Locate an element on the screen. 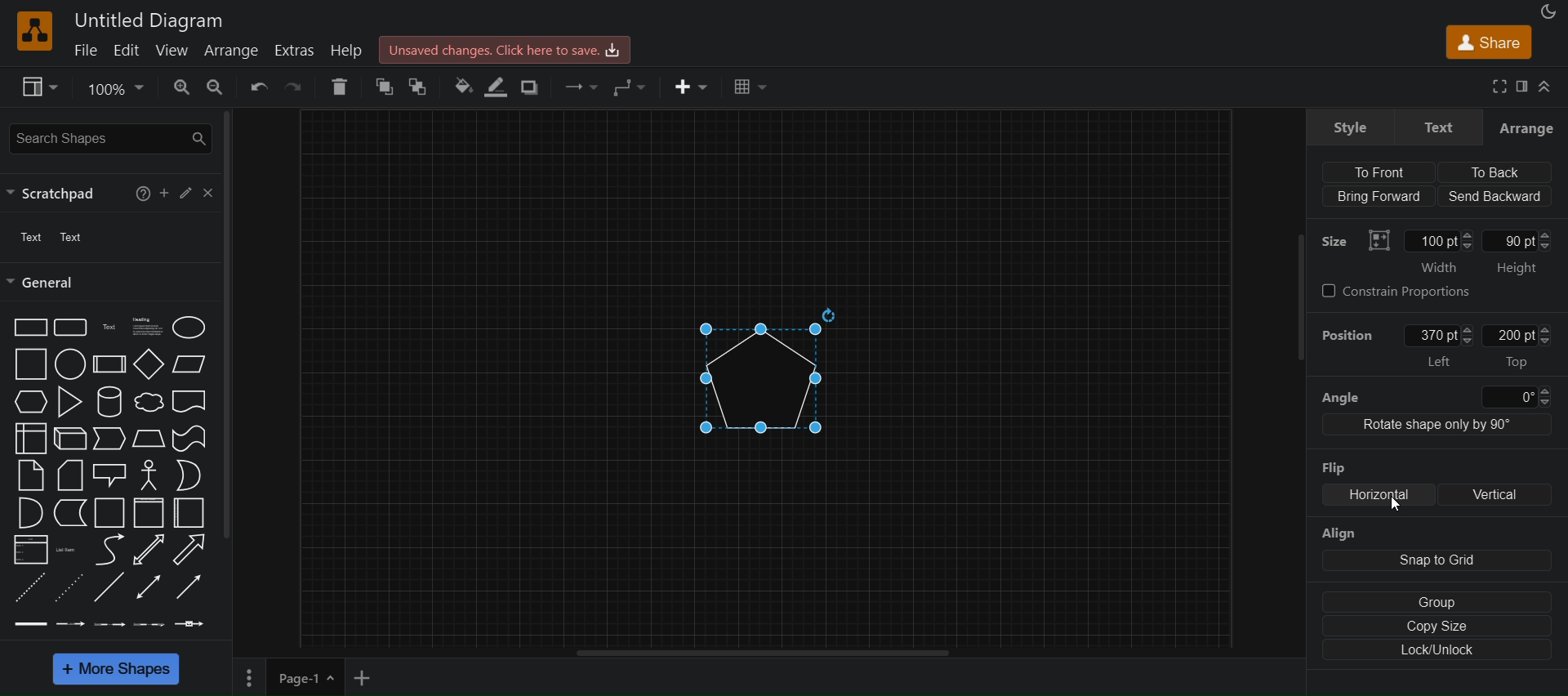 This screenshot has height=696, width=1568. Text is located at coordinates (111, 328).